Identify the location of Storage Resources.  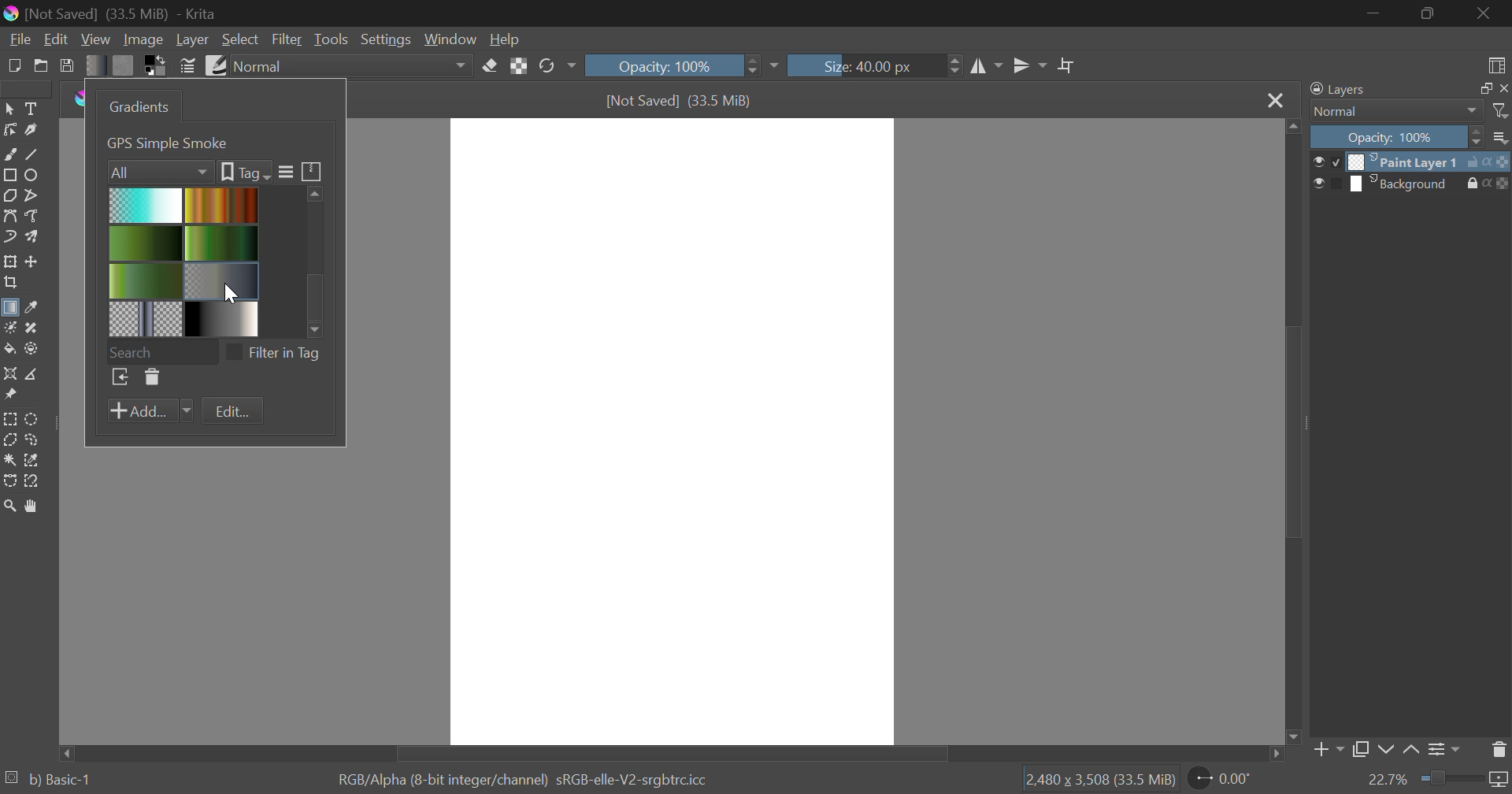
(313, 170).